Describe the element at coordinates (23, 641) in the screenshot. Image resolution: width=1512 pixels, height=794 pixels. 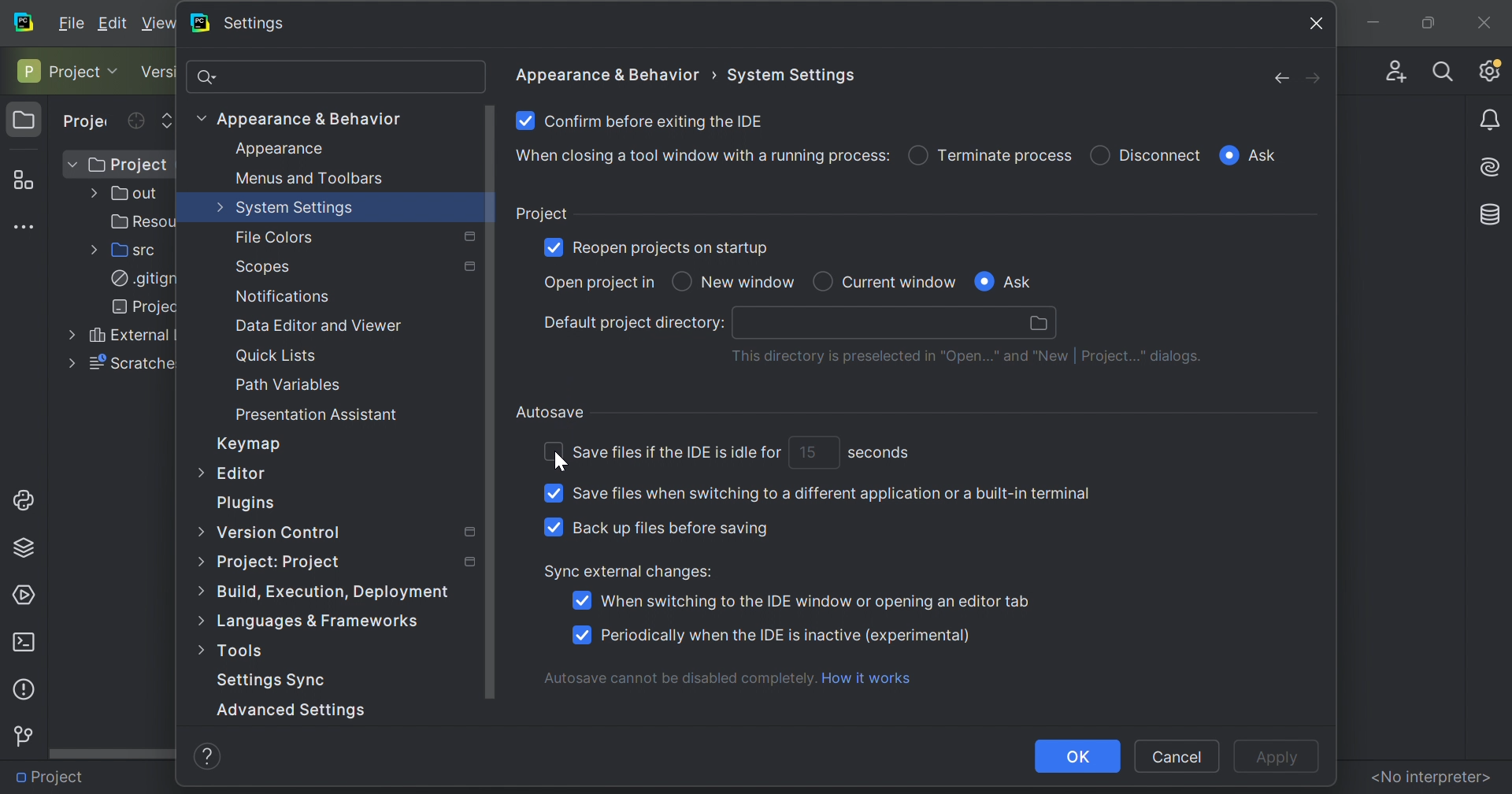
I see `Terminals` at that location.